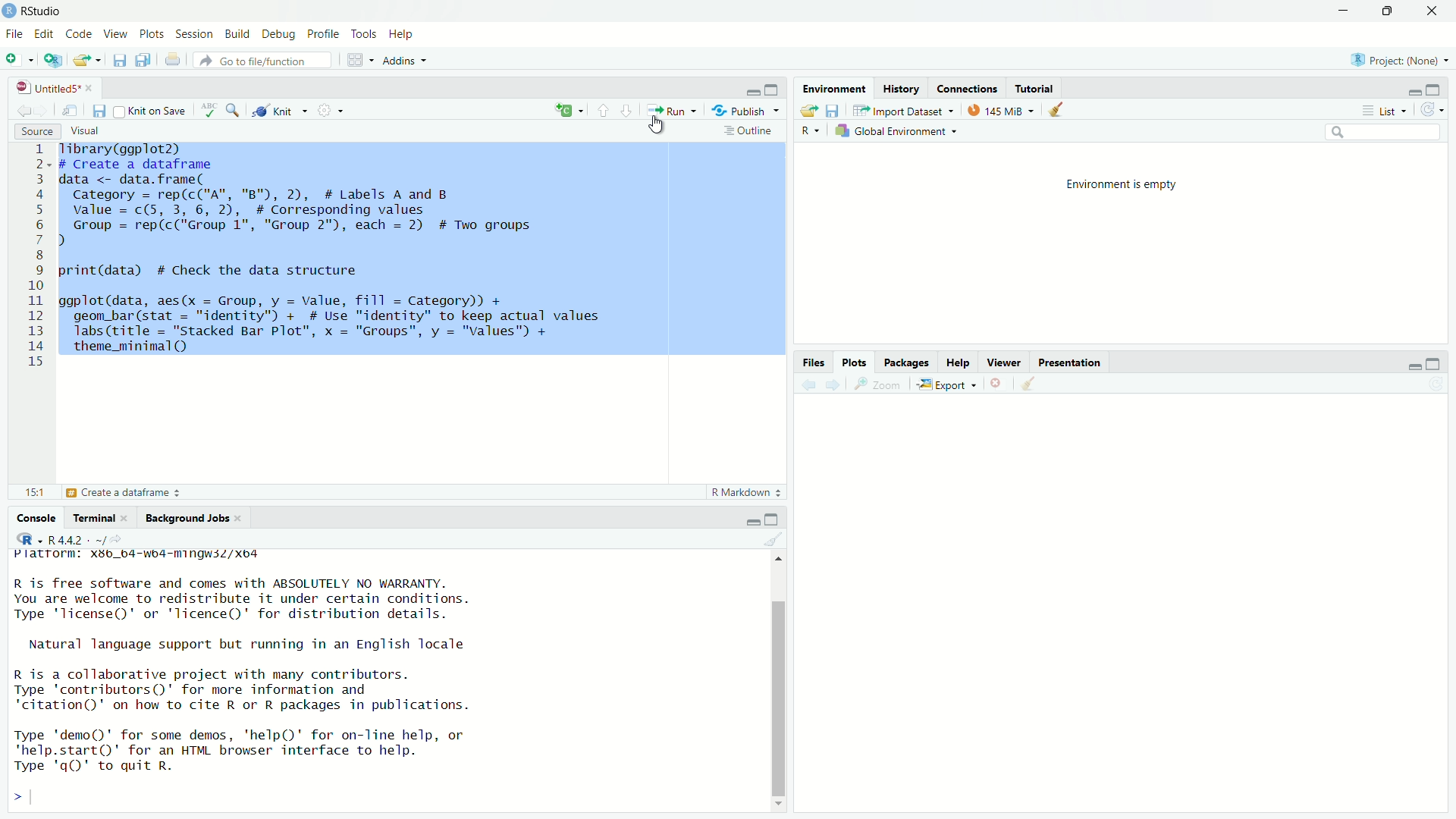  I want to click on Viewer, so click(1003, 362).